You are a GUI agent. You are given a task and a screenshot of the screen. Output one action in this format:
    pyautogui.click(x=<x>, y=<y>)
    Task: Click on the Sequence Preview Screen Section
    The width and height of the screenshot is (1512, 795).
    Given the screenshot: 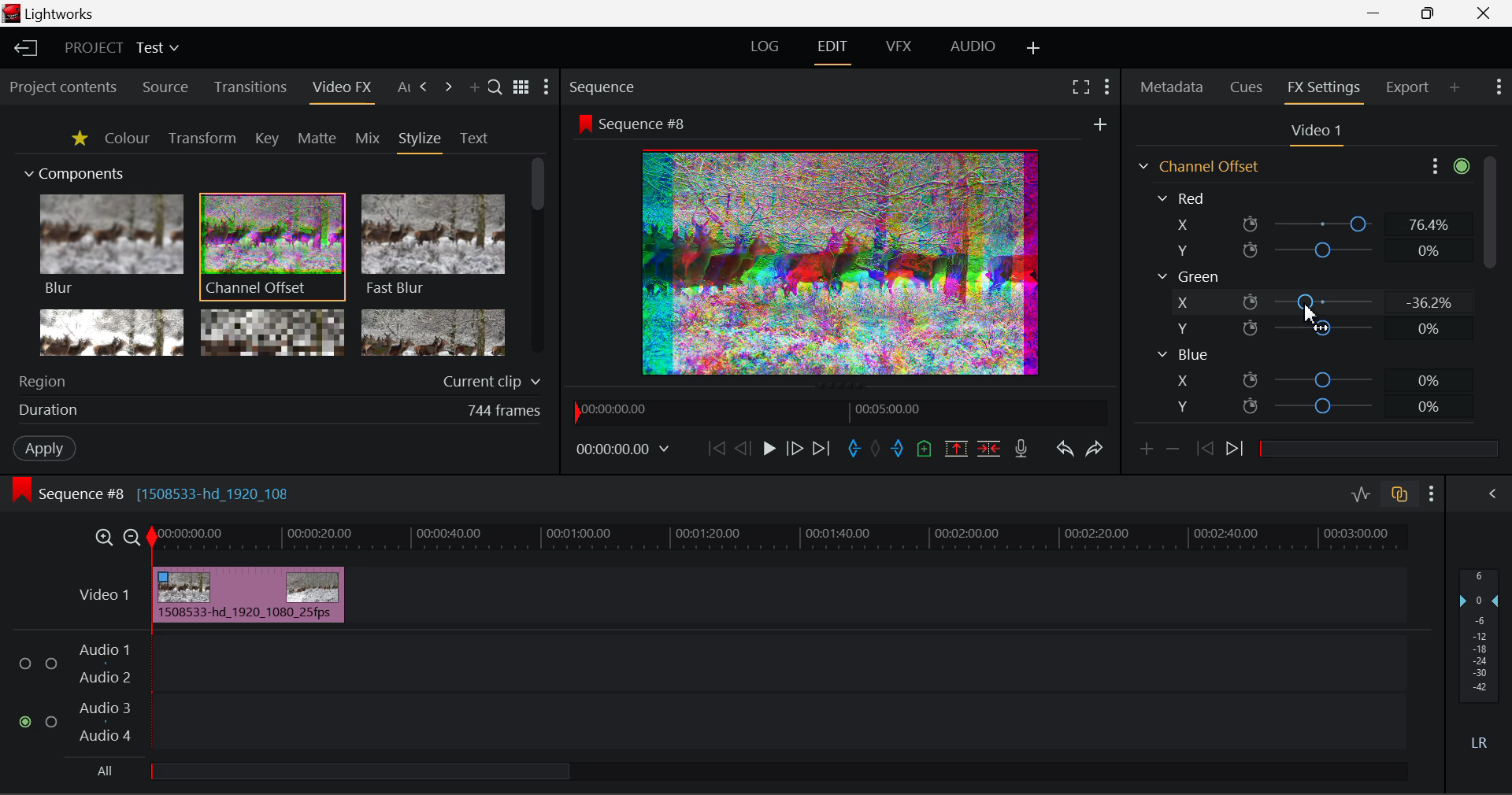 What is the action you would take?
    pyautogui.click(x=842, y=122)
    